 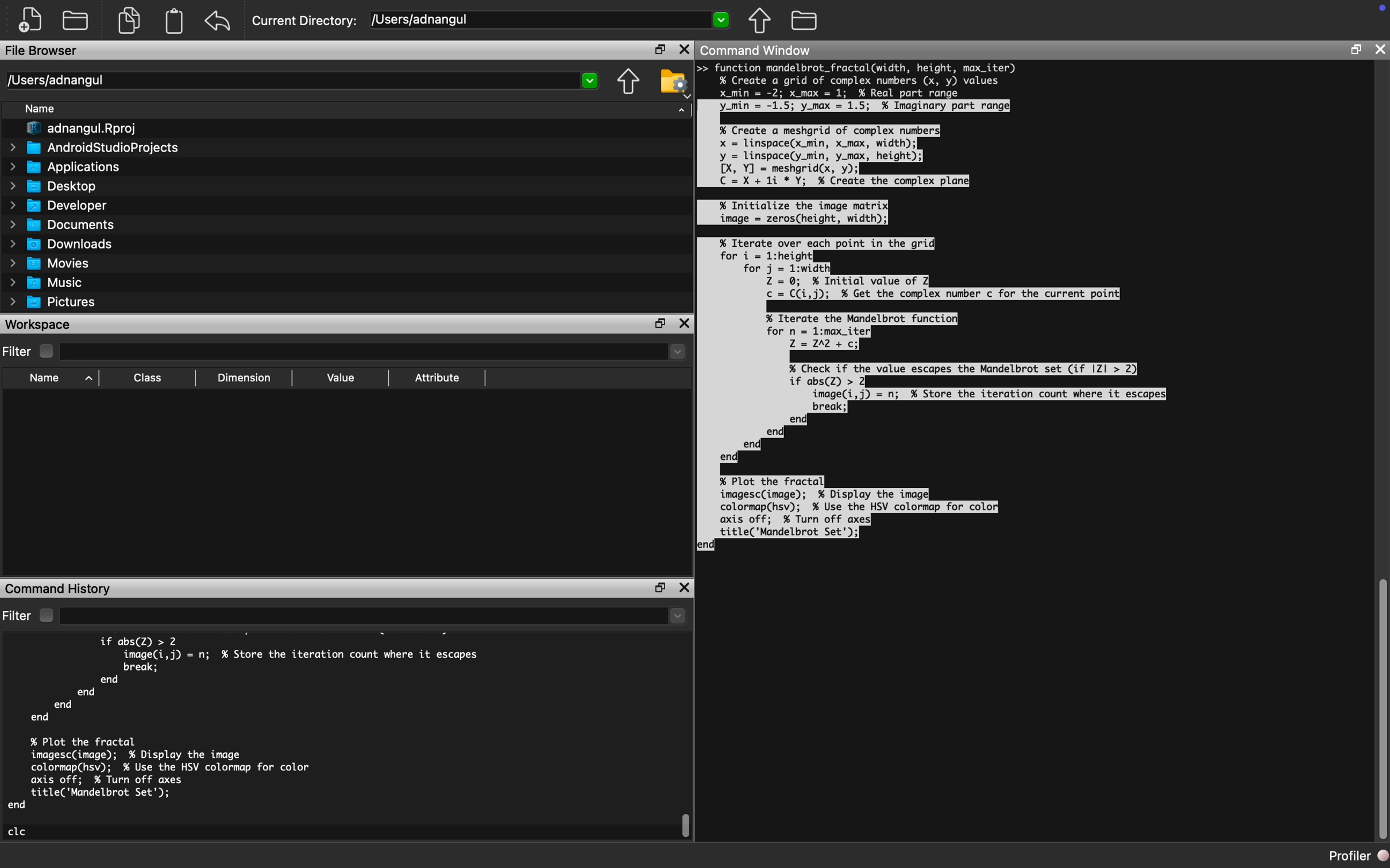 I want to click on Applications, so click(x=63, y=167).